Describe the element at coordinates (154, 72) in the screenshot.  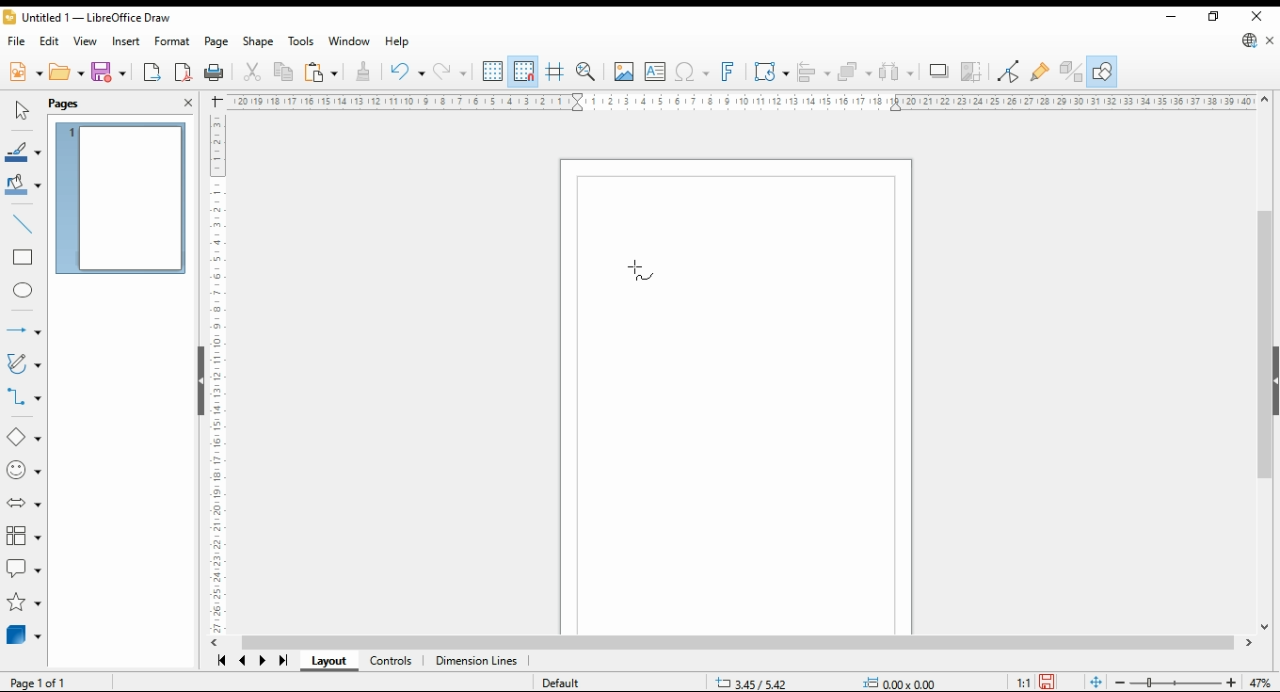
I see `export` at that location.